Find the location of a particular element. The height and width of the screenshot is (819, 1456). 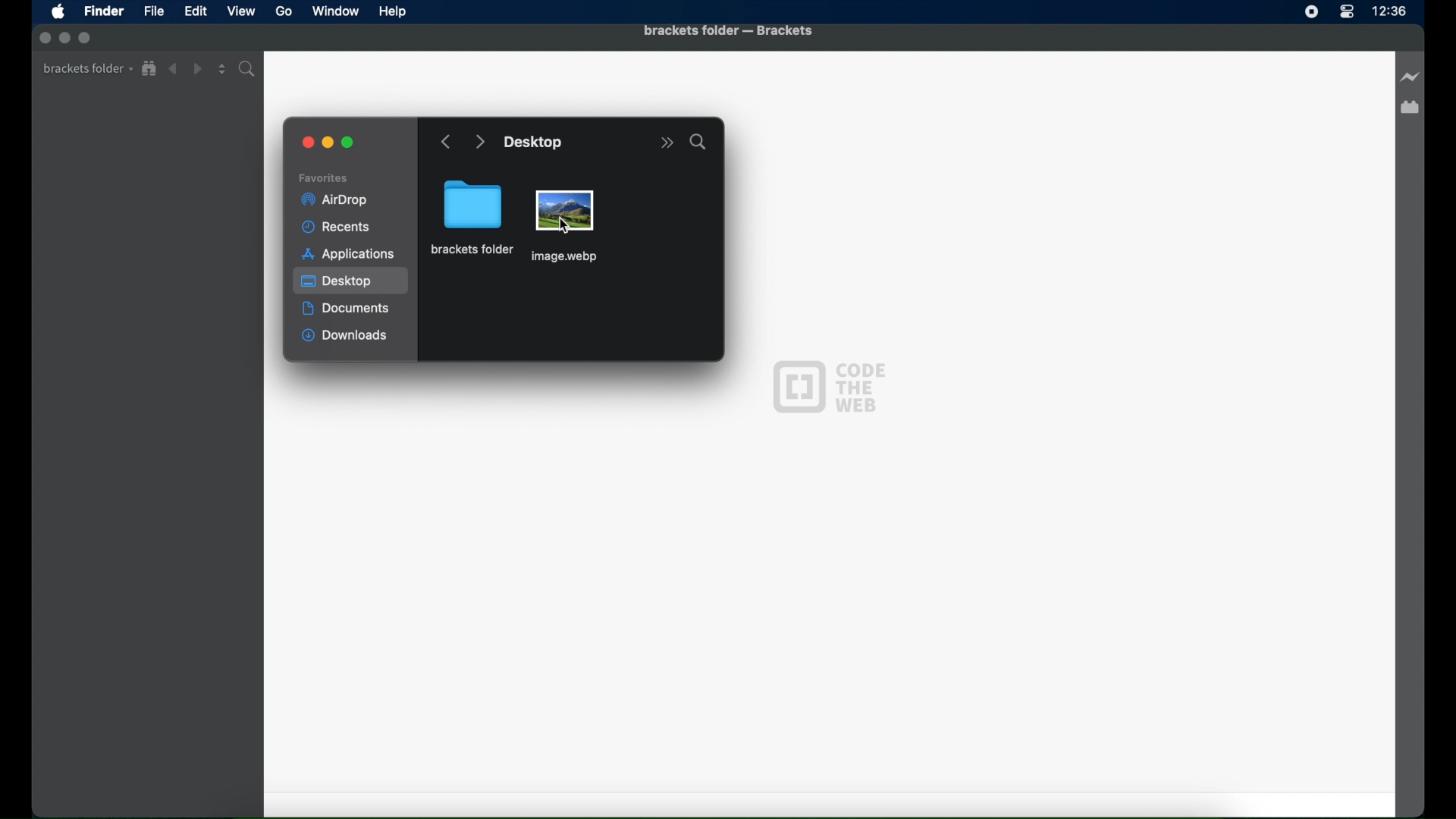

Edit is located at coordinates (196, 12).